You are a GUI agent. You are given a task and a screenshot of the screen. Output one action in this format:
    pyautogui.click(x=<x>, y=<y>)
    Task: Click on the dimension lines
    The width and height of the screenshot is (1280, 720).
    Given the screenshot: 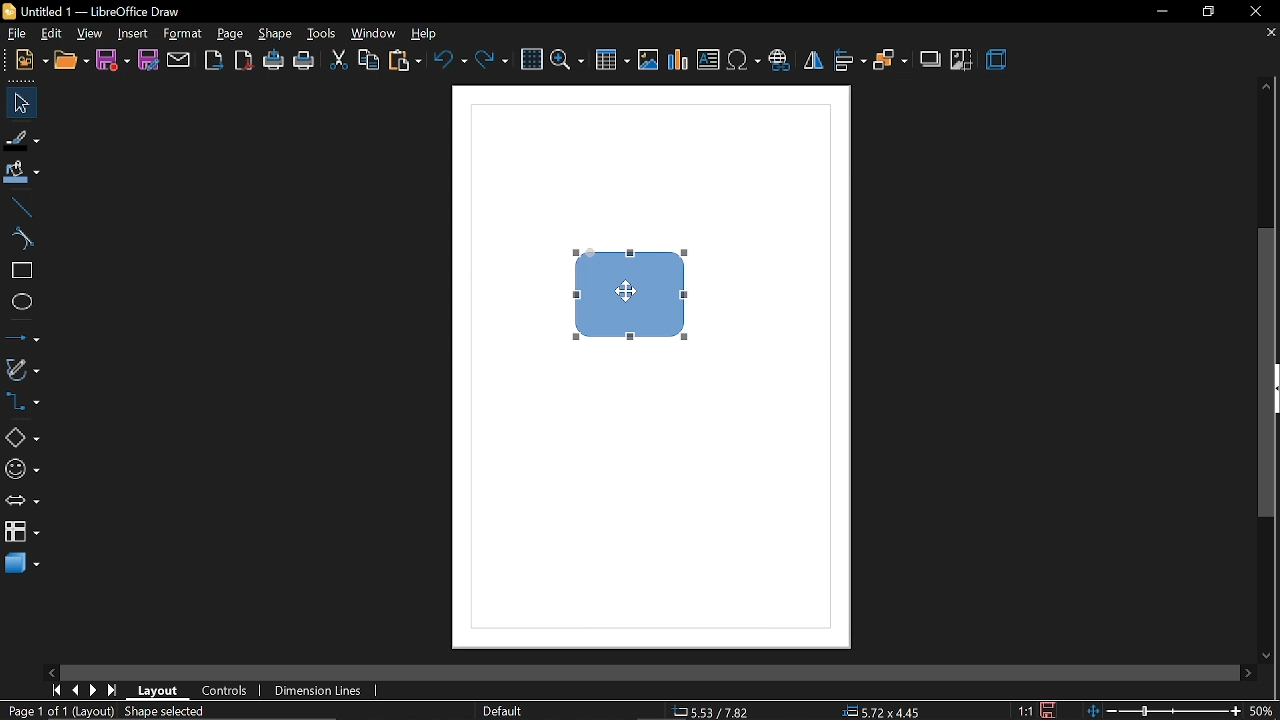 What is the action you would take?
    pyautogui.click(x=321, y=691)
    